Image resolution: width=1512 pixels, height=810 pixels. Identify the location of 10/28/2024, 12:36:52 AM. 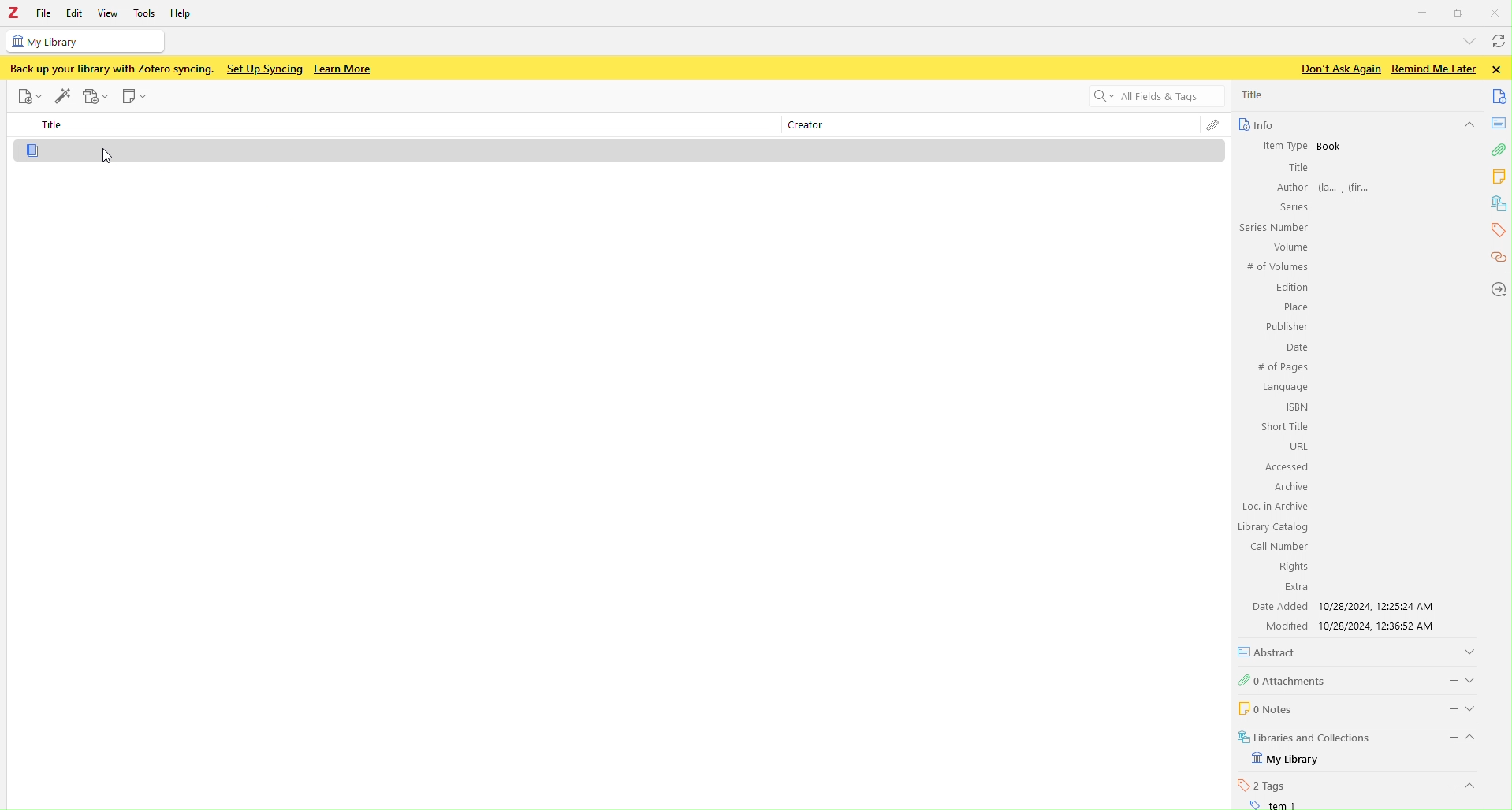
(1383, 626).